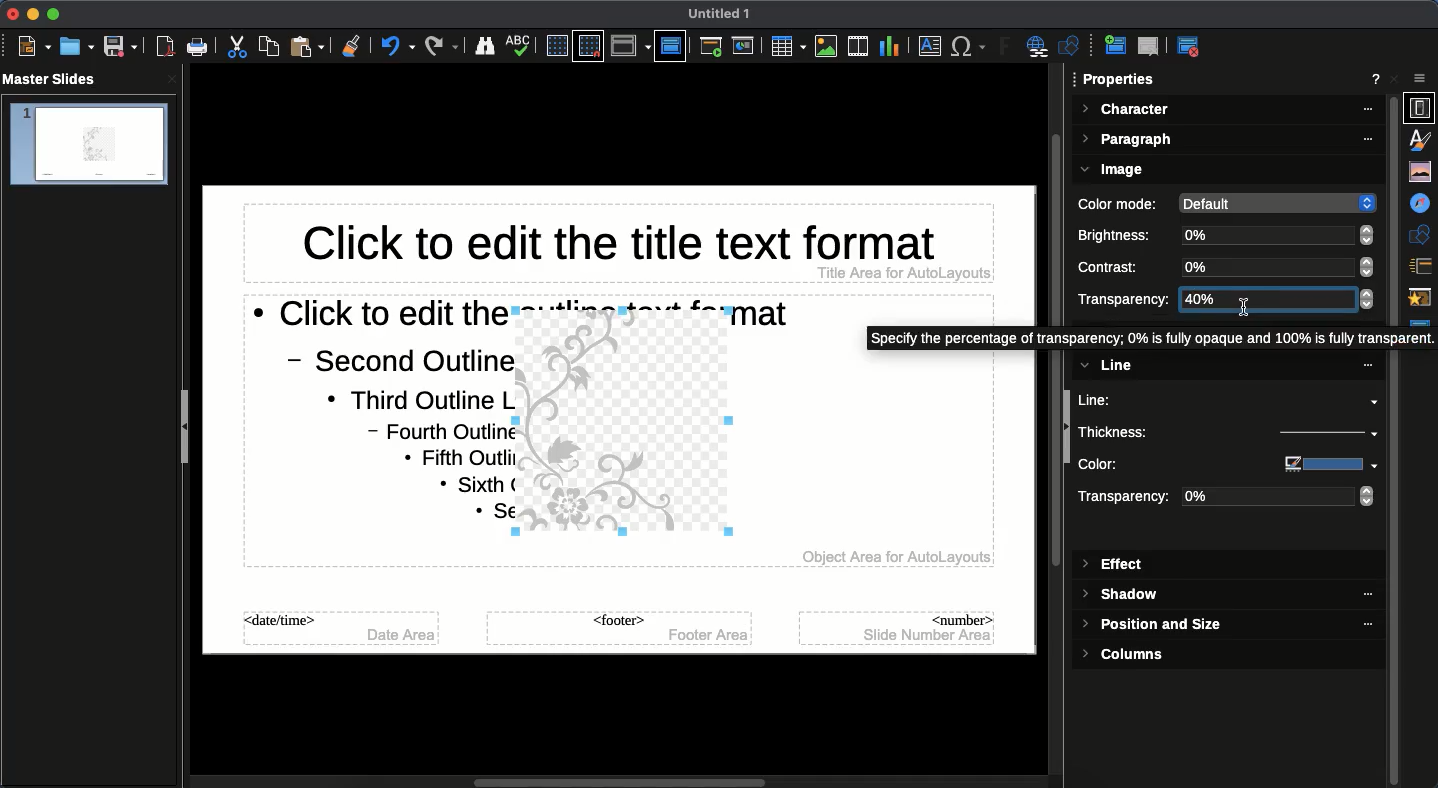 The image size is (1438, 788). I want to click on Collapse, so click(189, 429).